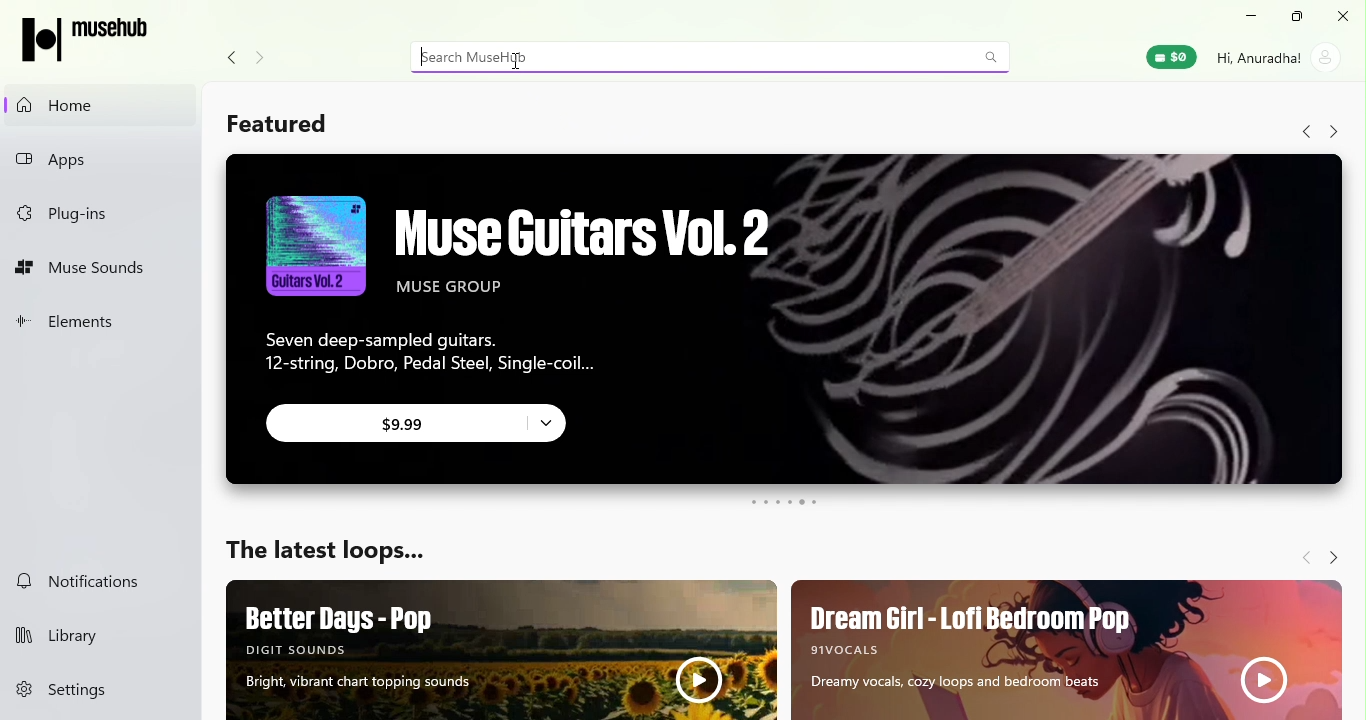  Describe the element at coordinates (267, 59) in the screenshot. I see `Navigate forward` at that location.